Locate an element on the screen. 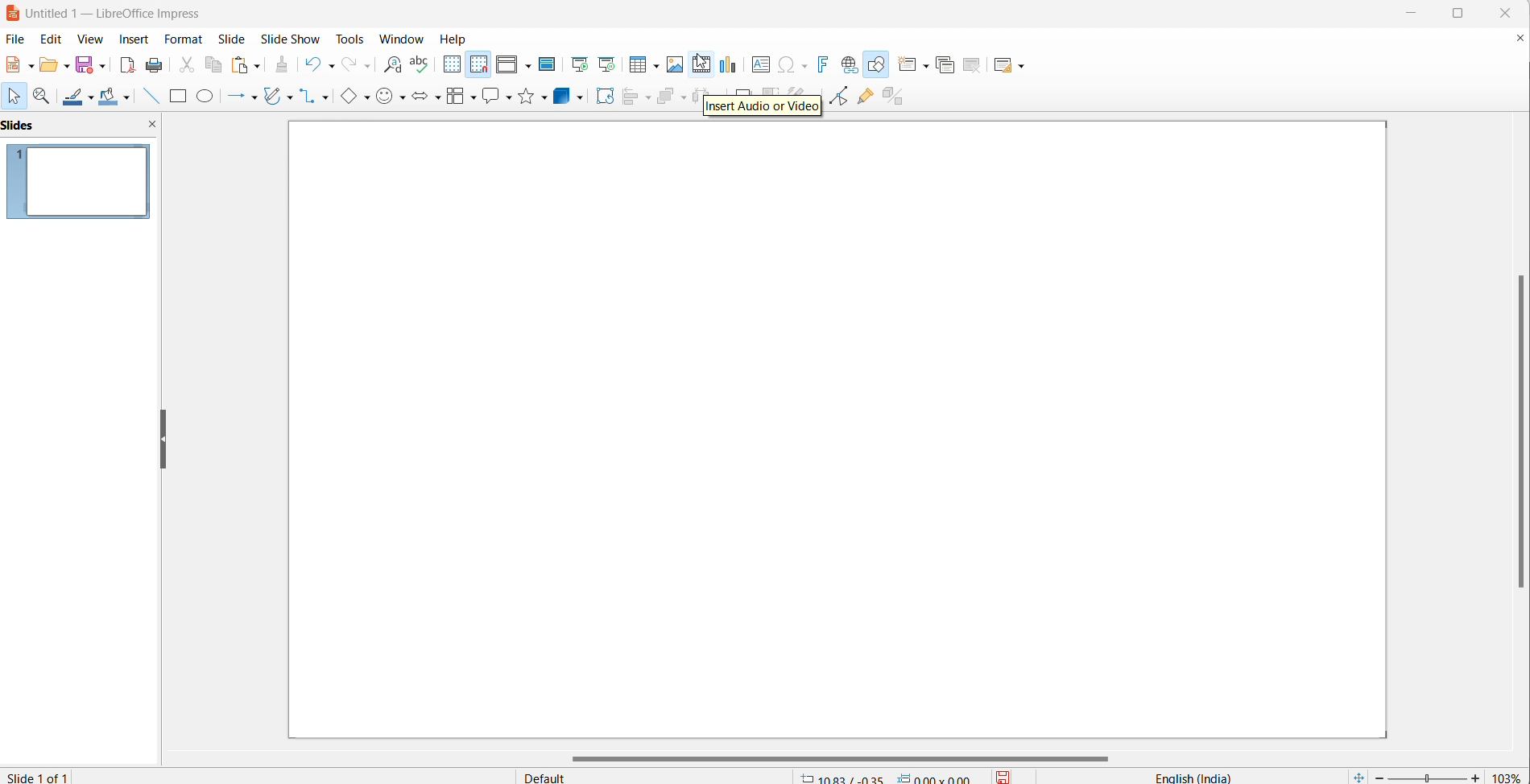  line is located at coordinates (149, 97).